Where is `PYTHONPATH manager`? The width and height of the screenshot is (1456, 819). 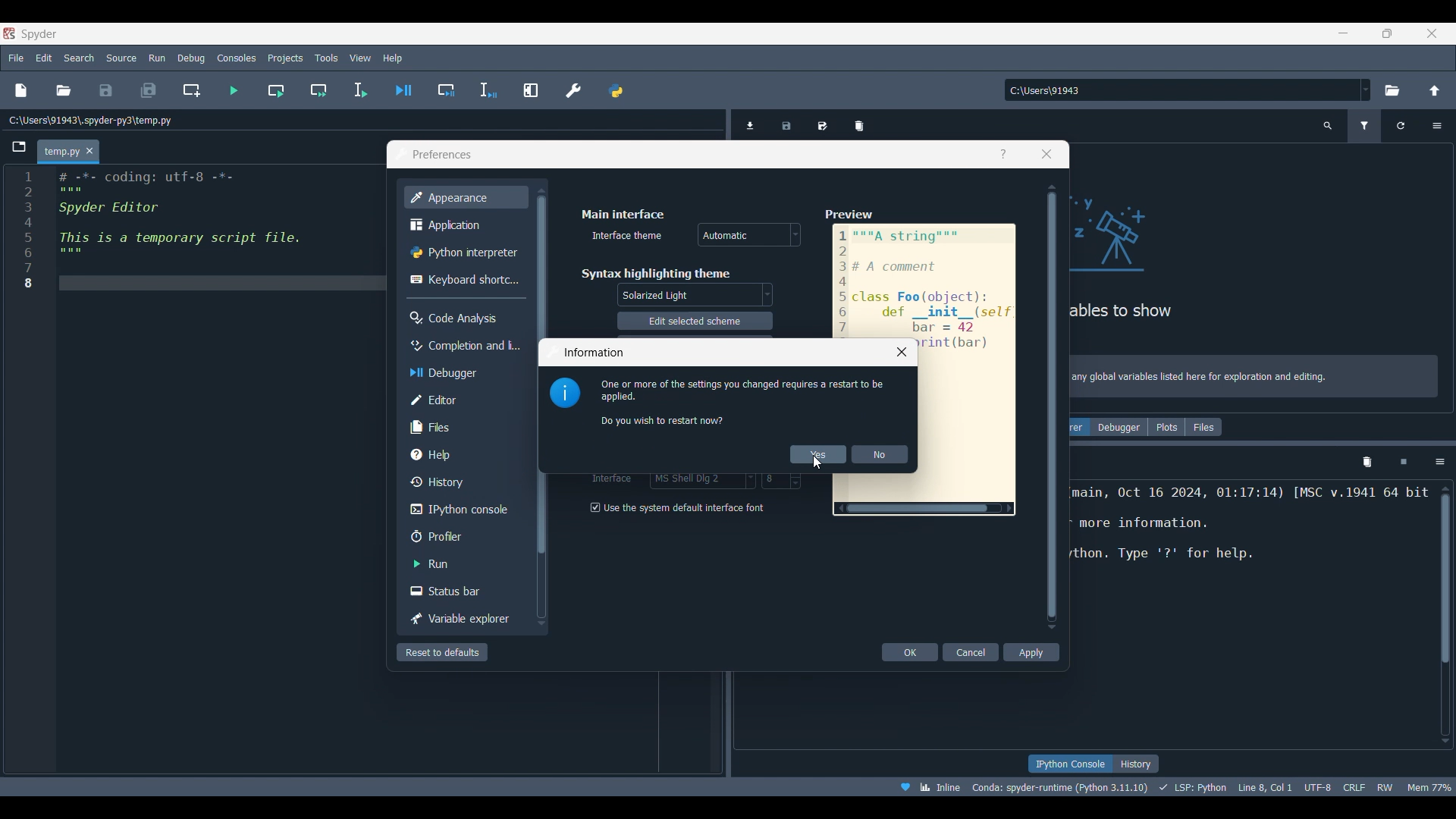 PYTHONPATH manager is located at coordinates (615, 88).